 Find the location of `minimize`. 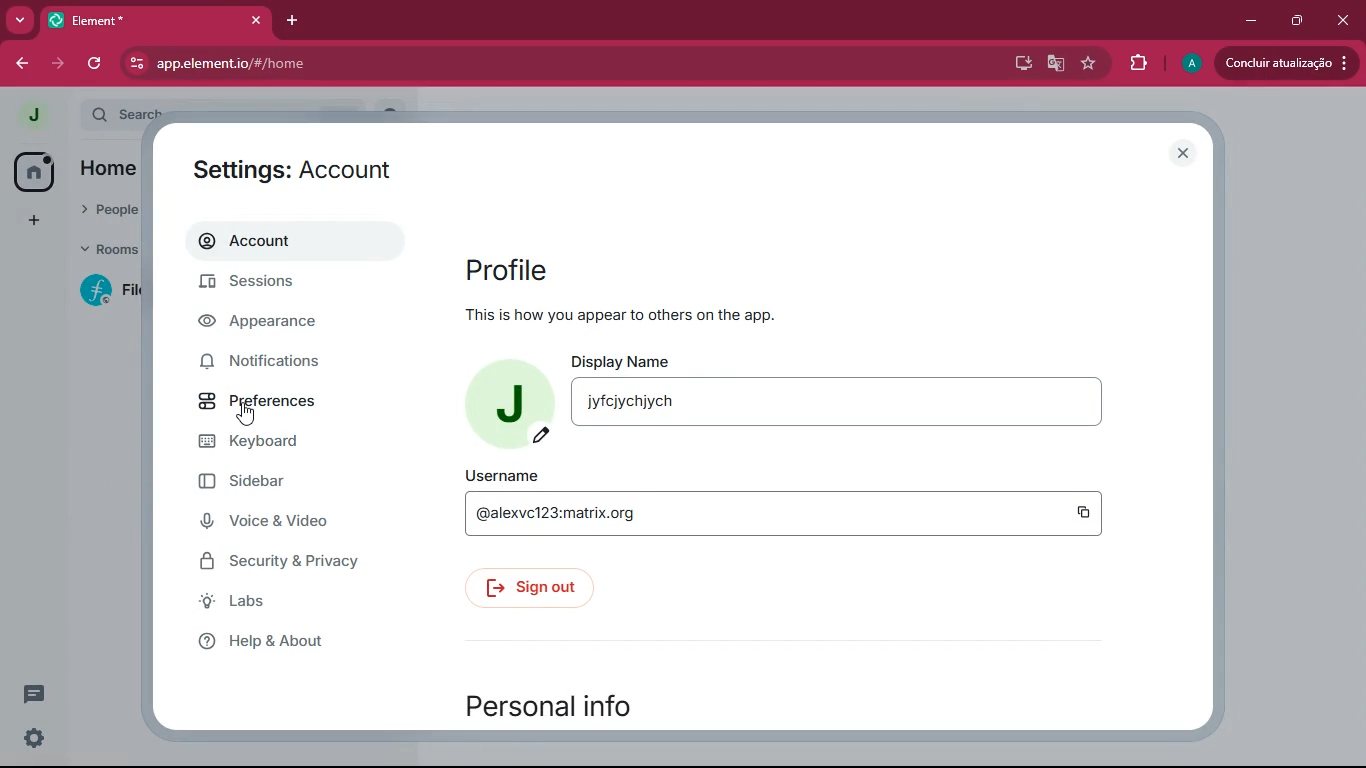

minimize is located at coordinates (1247, 19).